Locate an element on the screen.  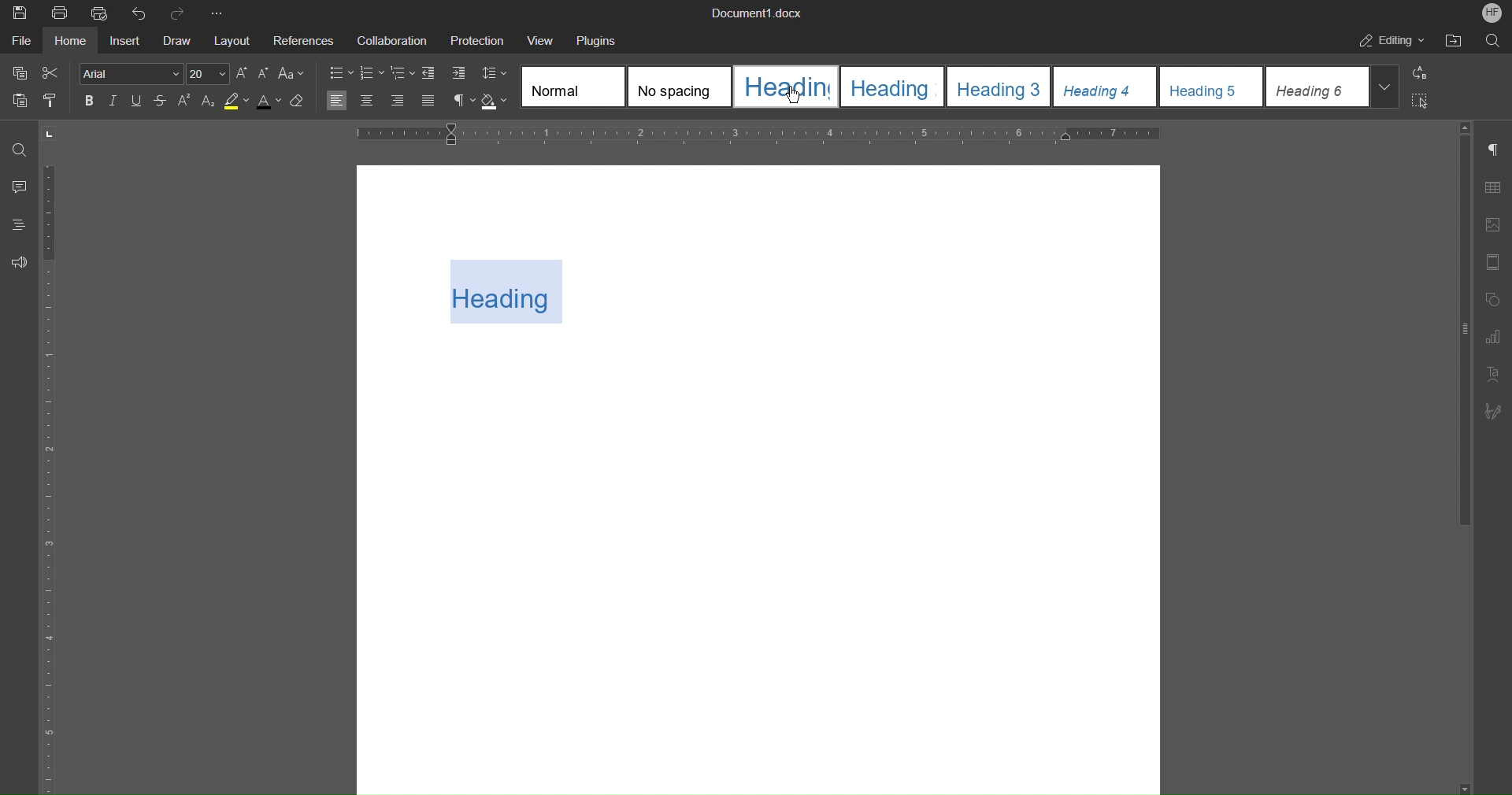
Heading is located at coordinates (510, 290).